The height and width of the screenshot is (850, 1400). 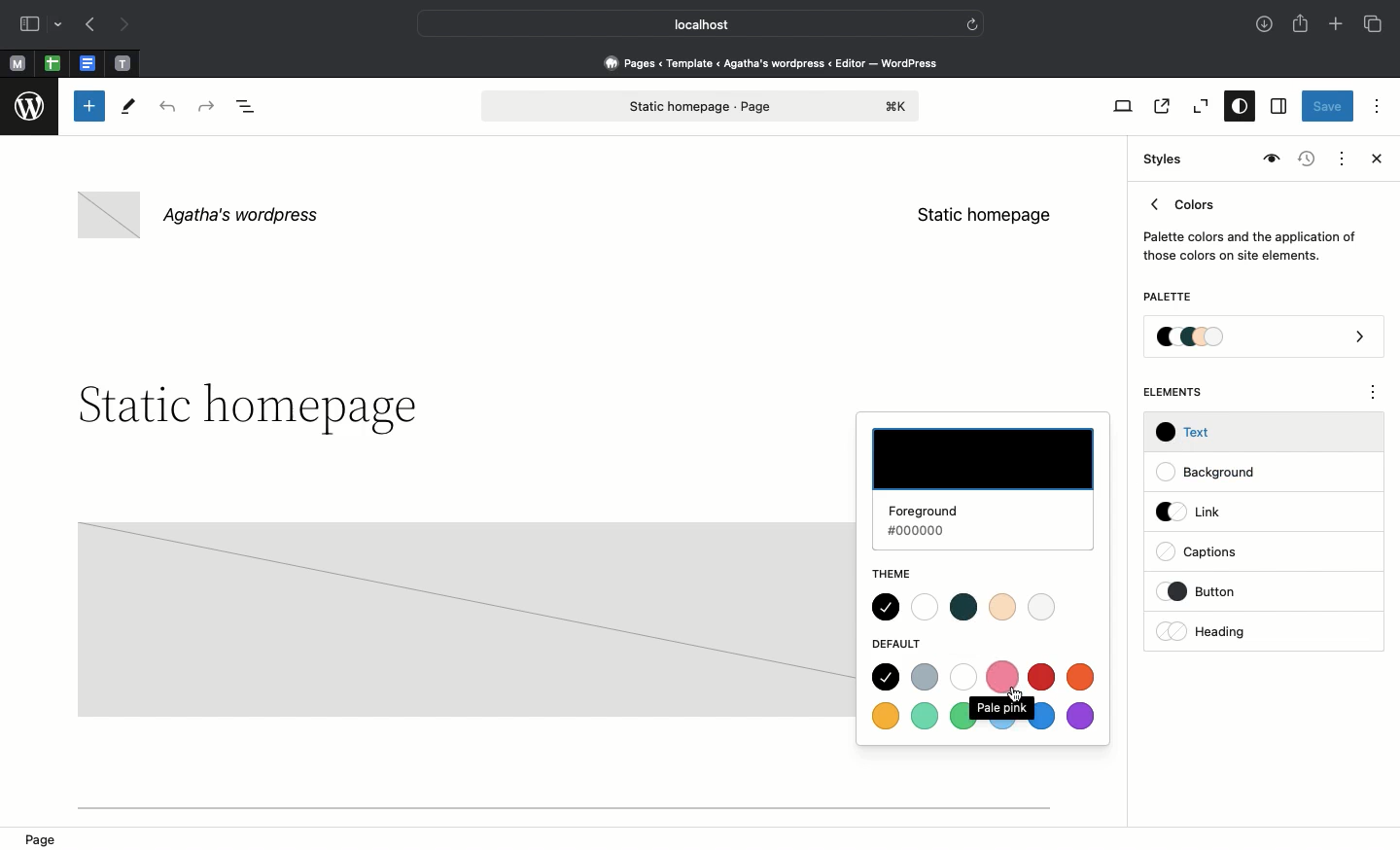 What do you see at coordinates (1159, 159) in the screenshot?
I see `Styles` at bounding box center [1159, 159].